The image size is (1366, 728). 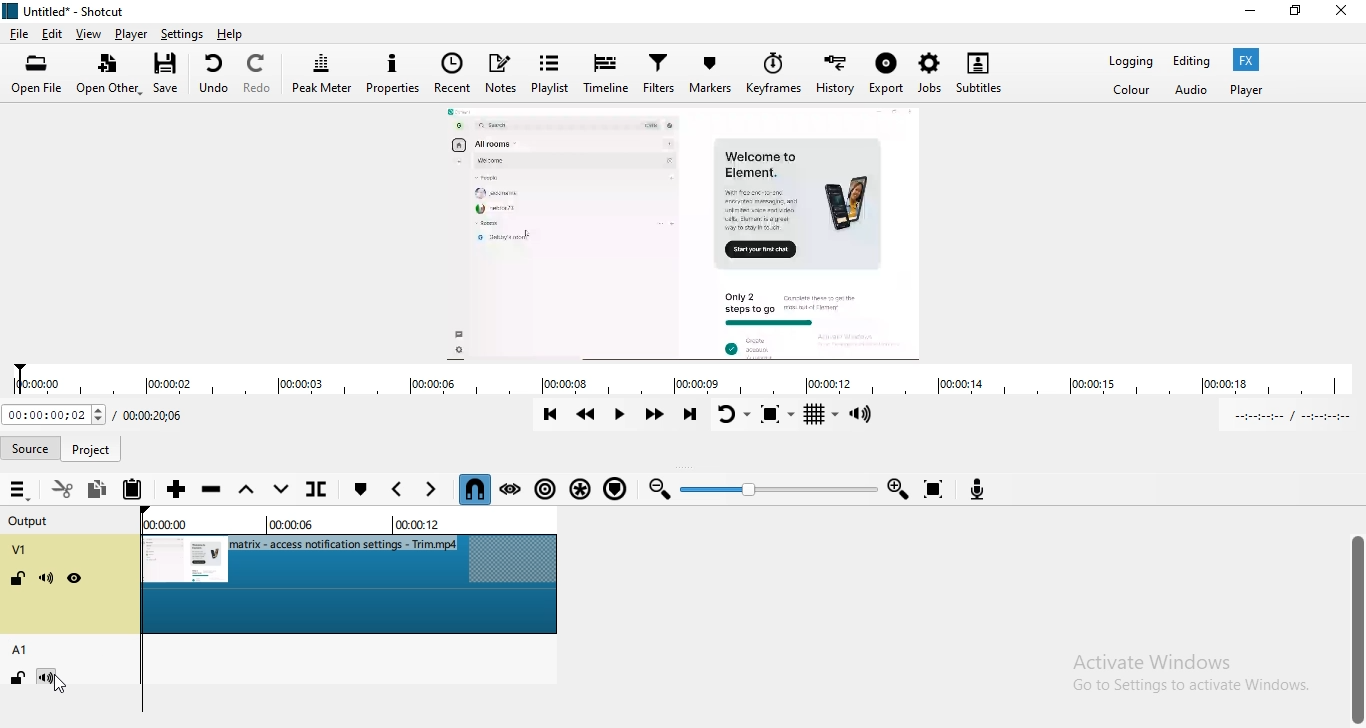 What do you see at coordinates (136, 490) in the screenshot?
I see `Paste ` at bounding box center [136, 490].